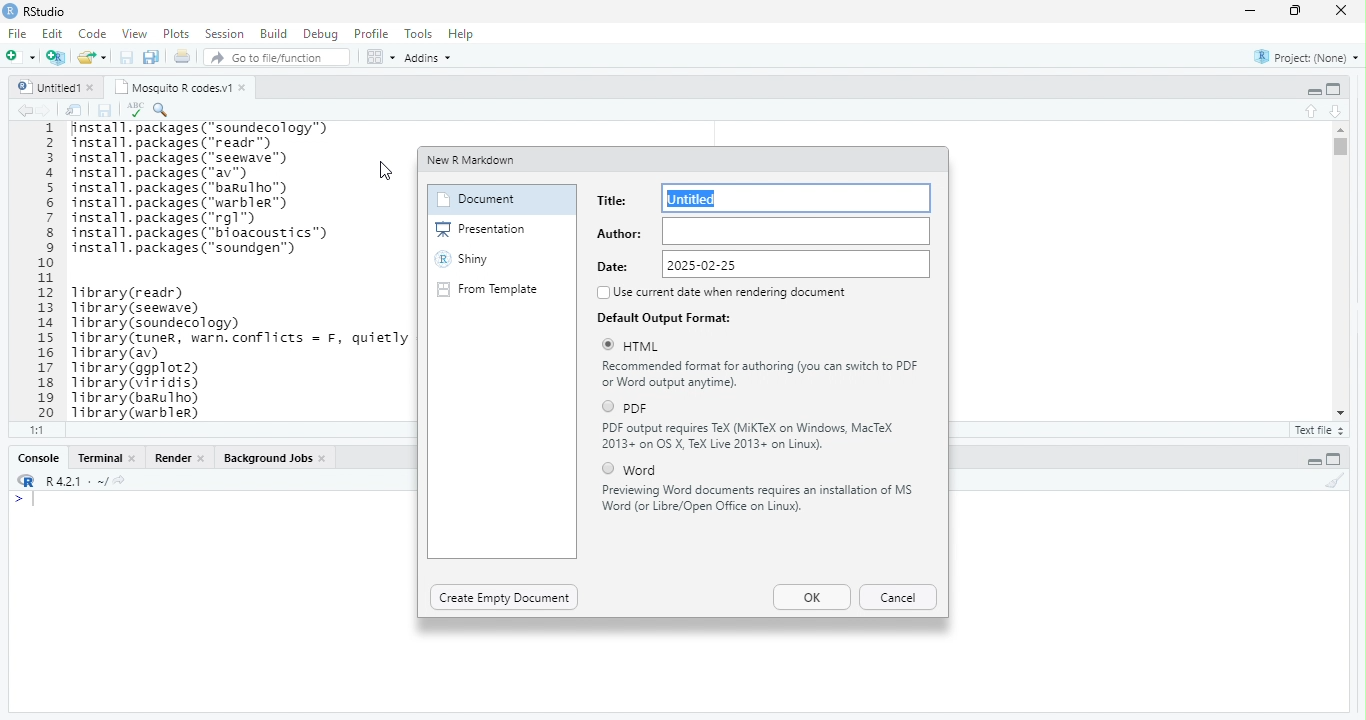 This screenshot has height=720, width=1366. Describe the element at coordinates (239, 352) in the screenshot. I see `library(readr) library(seewave) library(soundecology) library(tuner, warn. conflicts = F, quietly = T) library(av) library(gglot2) library(viridis) library (barulho) library (warbler)` at that location.